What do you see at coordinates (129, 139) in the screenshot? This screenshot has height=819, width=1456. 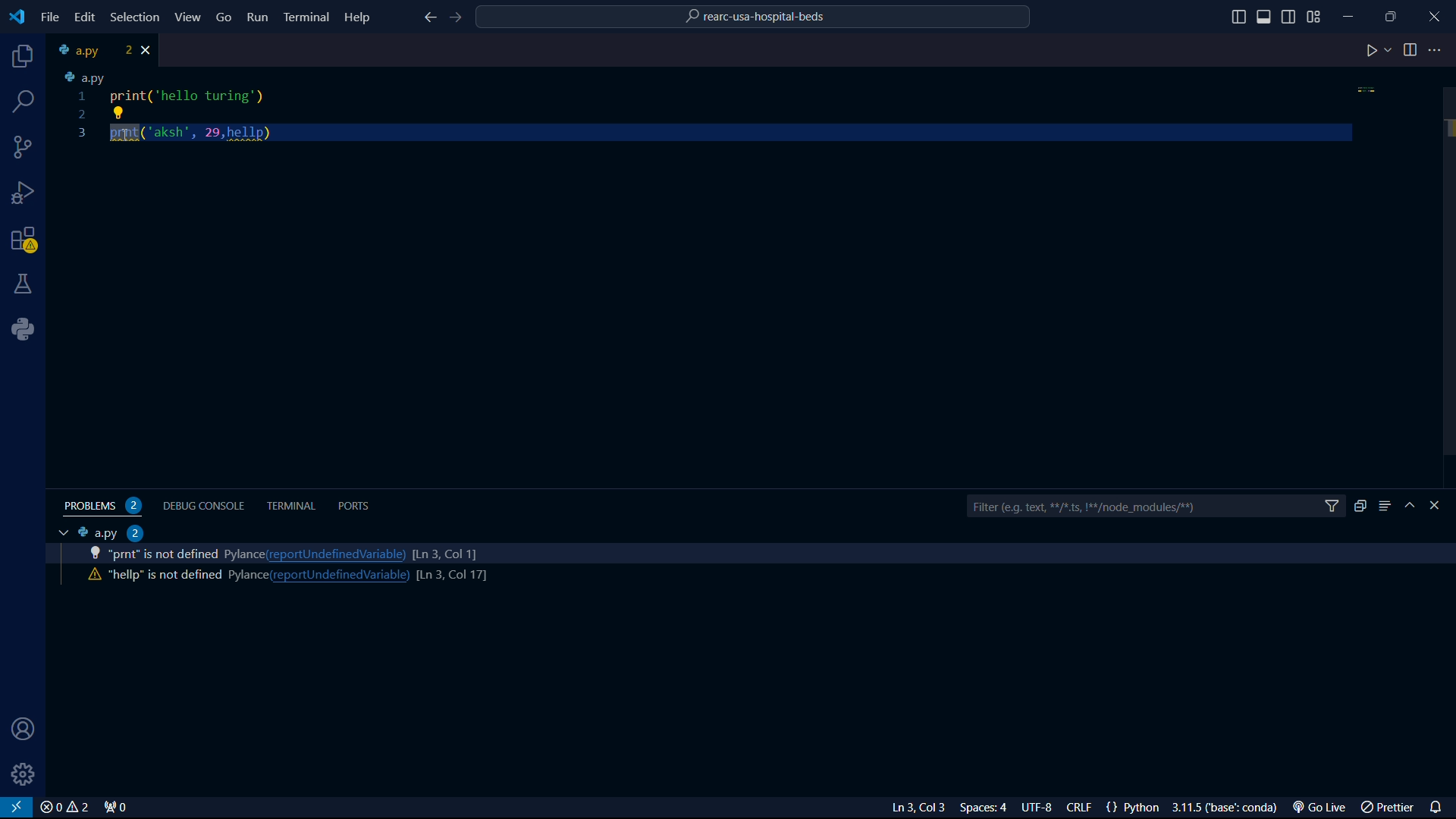 I see `cursor` at bounding box center [129, 139].